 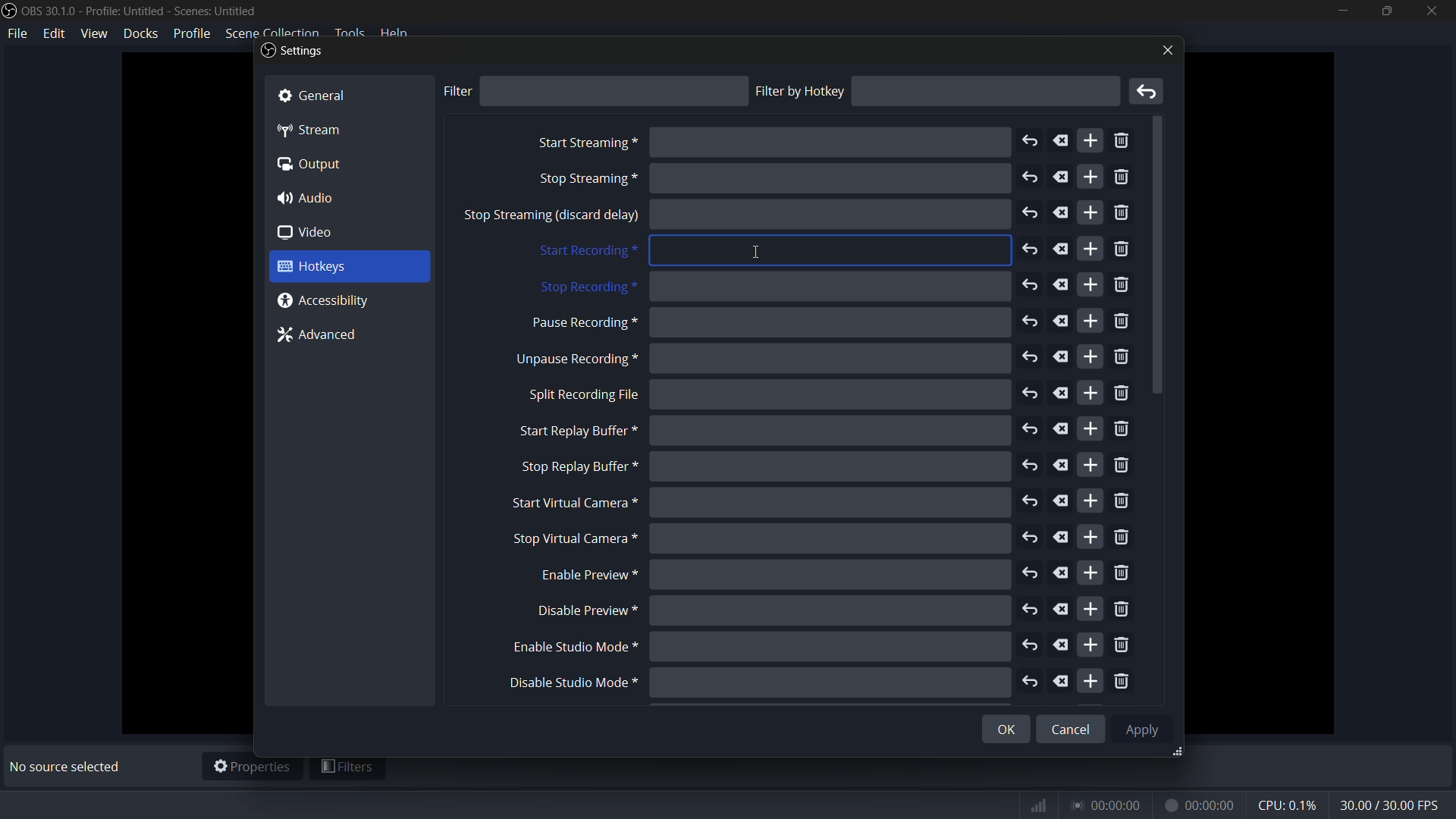 What do you see at coordinates (571, 648) in the screenshot?
I see `enable studio mode` at bounding box center [571, 648].